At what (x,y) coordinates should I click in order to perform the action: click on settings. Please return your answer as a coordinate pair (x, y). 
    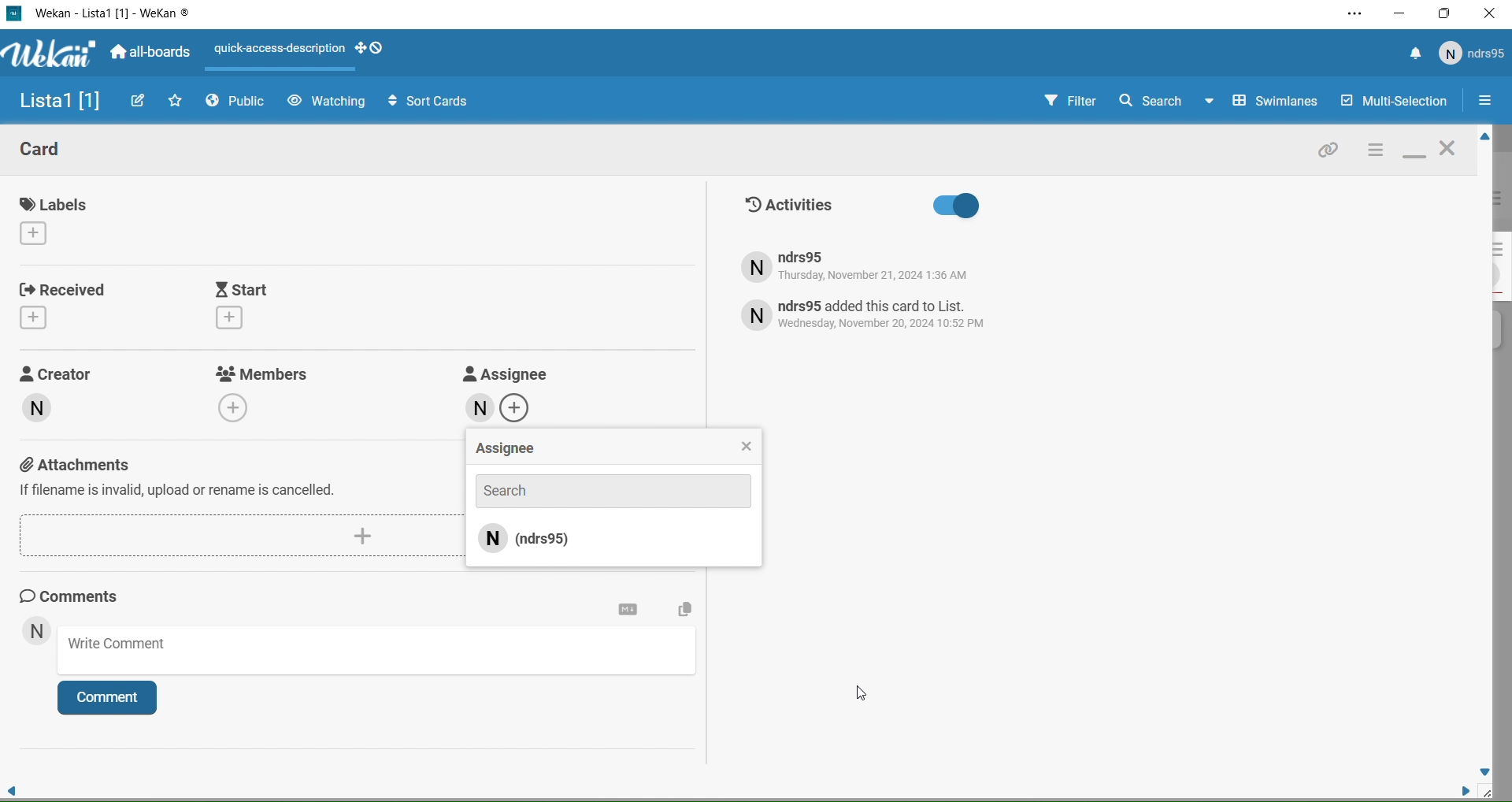
    Looking at the image, I should click on (628, 610).